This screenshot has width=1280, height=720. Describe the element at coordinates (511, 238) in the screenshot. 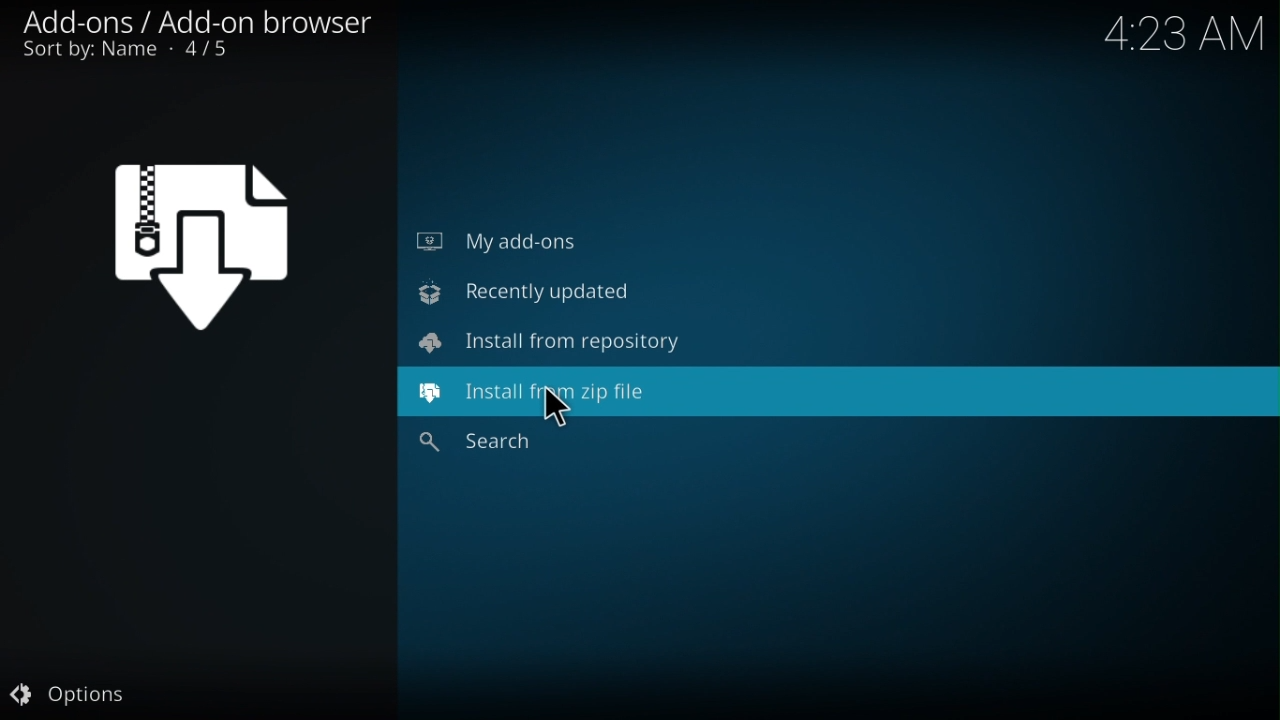

I see `My add-on` at that location.